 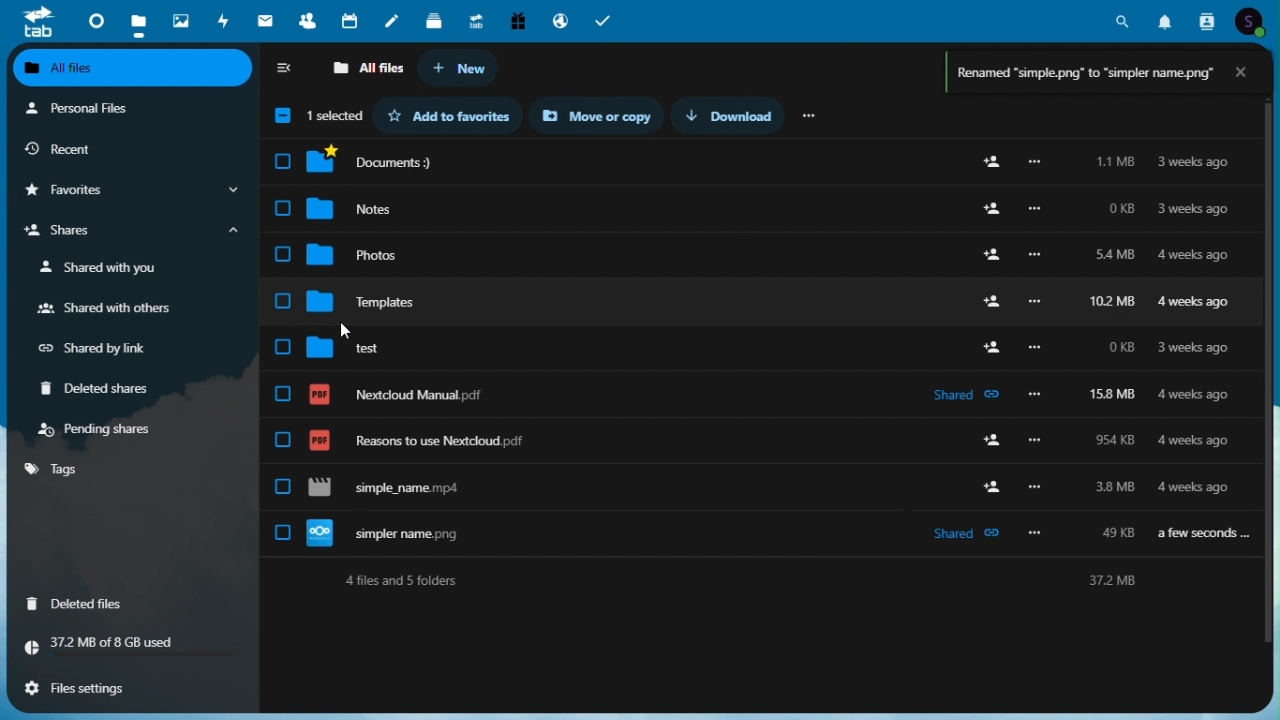 What do you see at coordinates (760, 339) in the screenshot?
I see `Test 0KB  3weeks ago` at bounding box center [760, 339].